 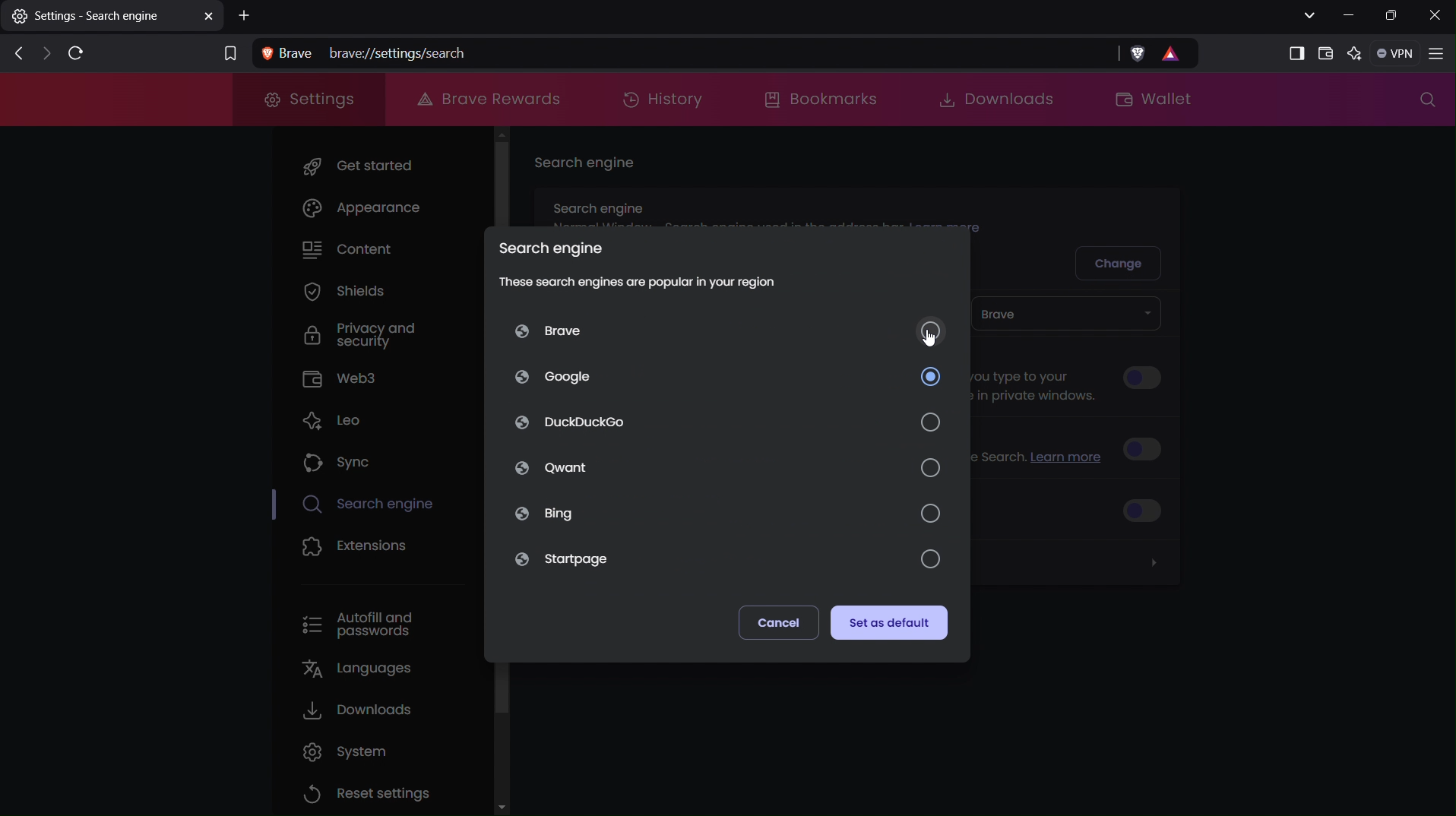 I want to click on DuckDuckGo, so click(x=729, y=422).